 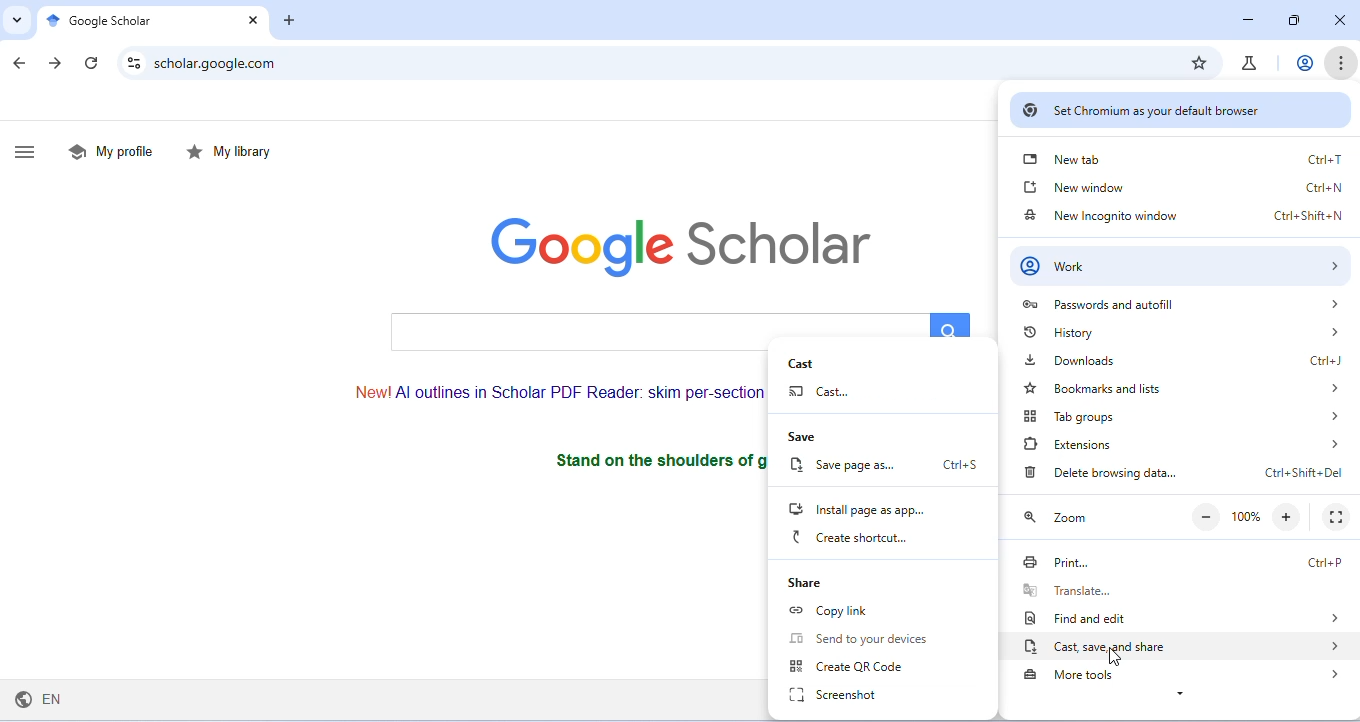 I want to click on close tab, so click(x=251, y=20).